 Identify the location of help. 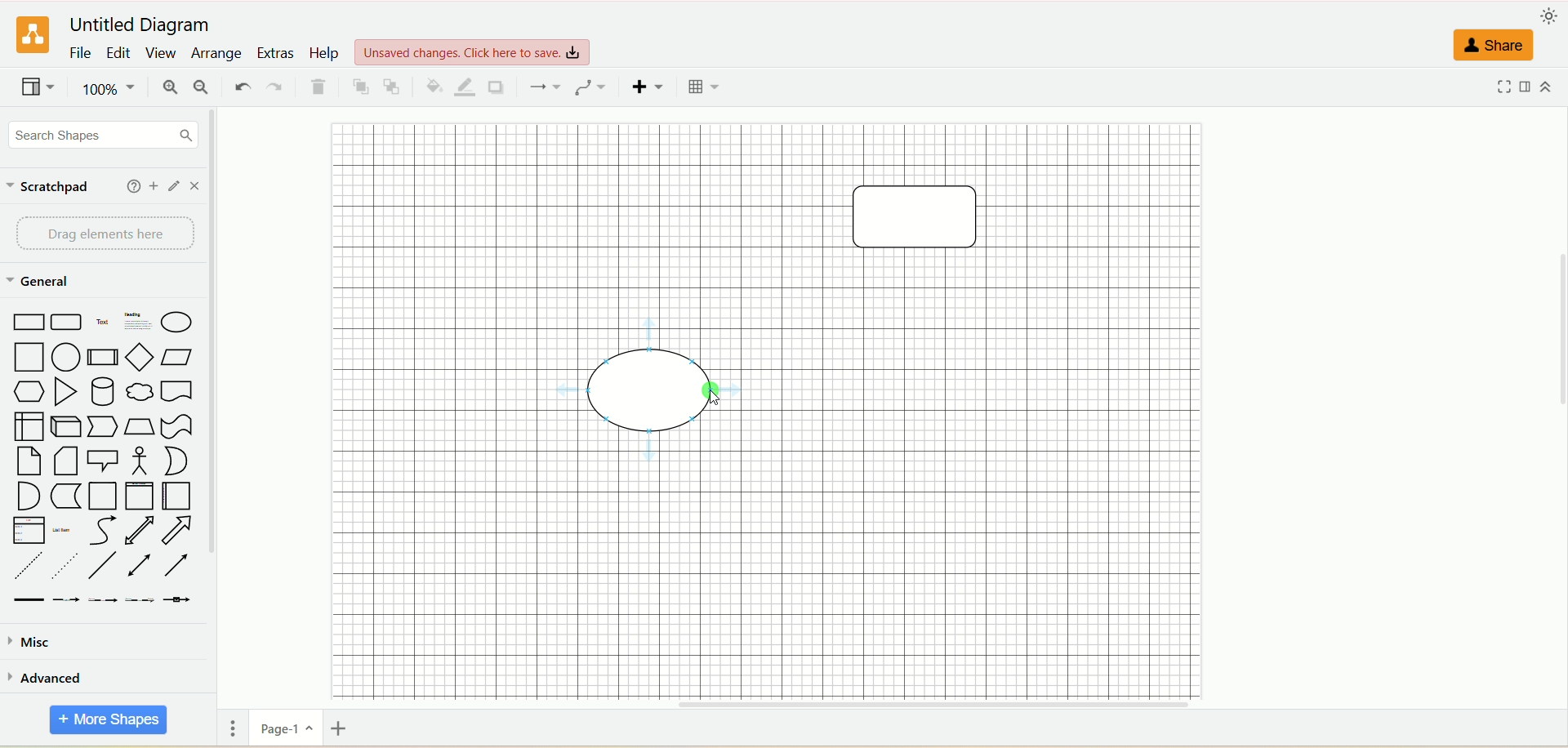
(129, 185).